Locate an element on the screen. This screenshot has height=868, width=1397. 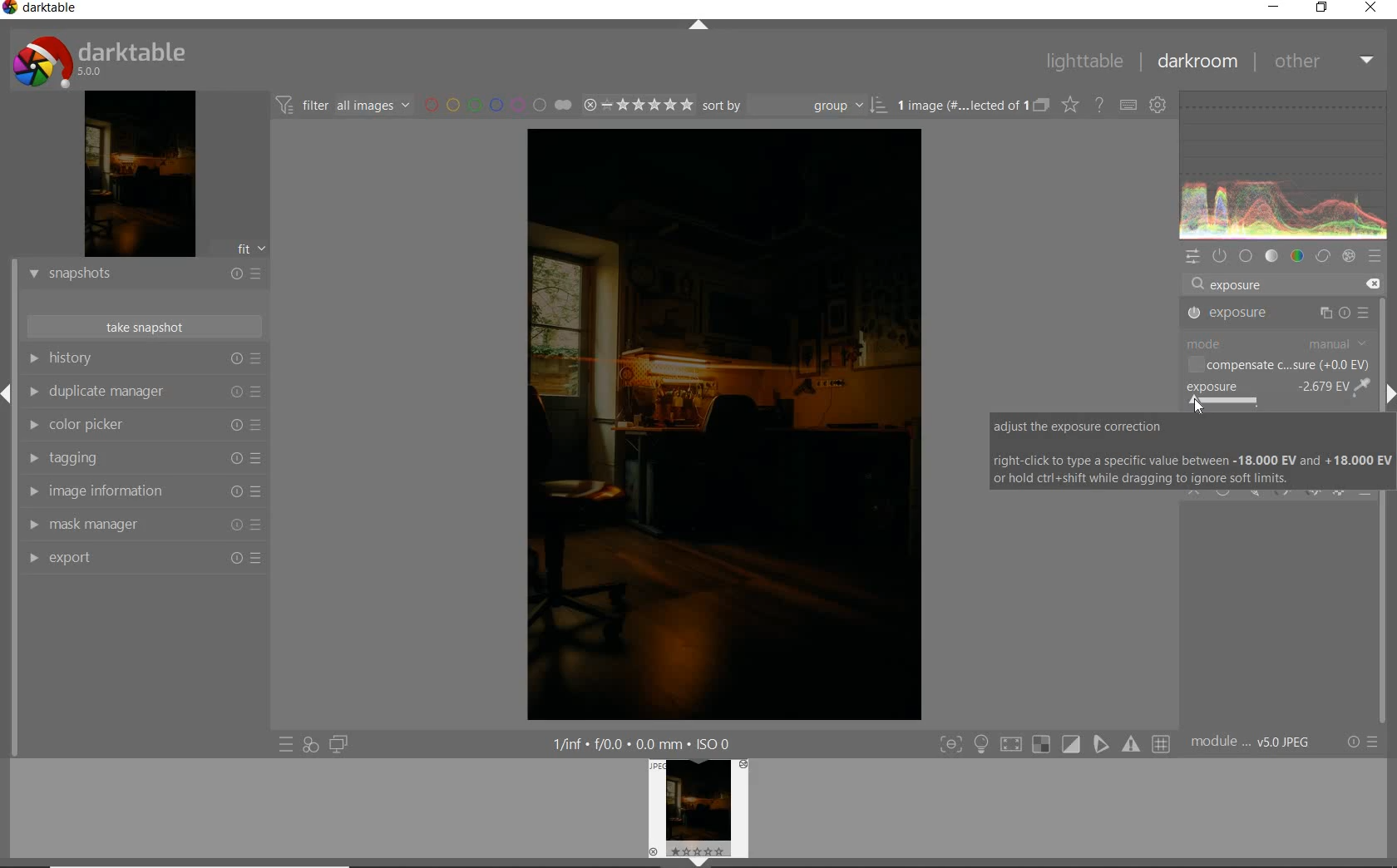
image information is located at coordinates (142, 491).